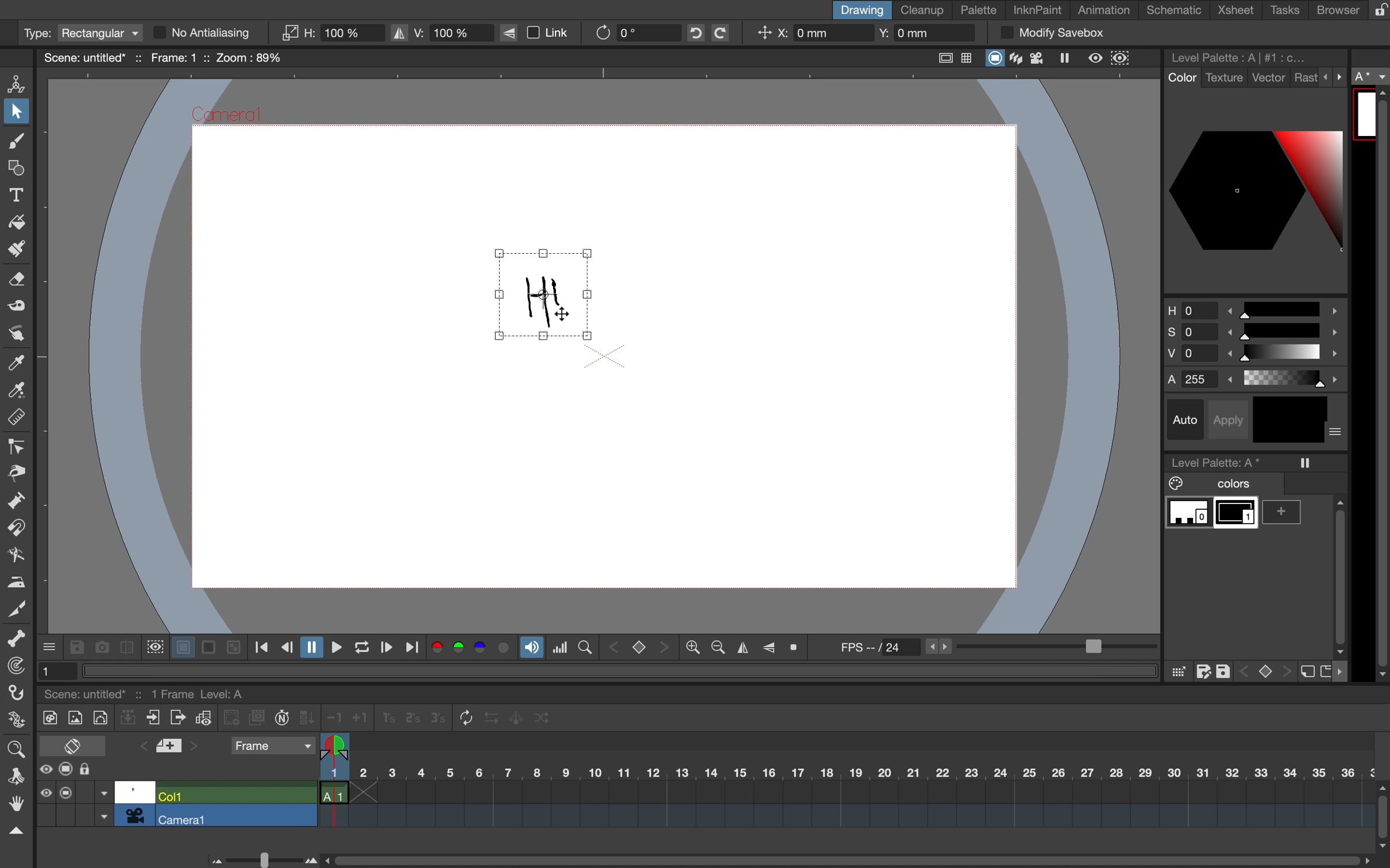 This screenshot has width=1390, height=868. I want to click on selection cursor, so click(562, 315).